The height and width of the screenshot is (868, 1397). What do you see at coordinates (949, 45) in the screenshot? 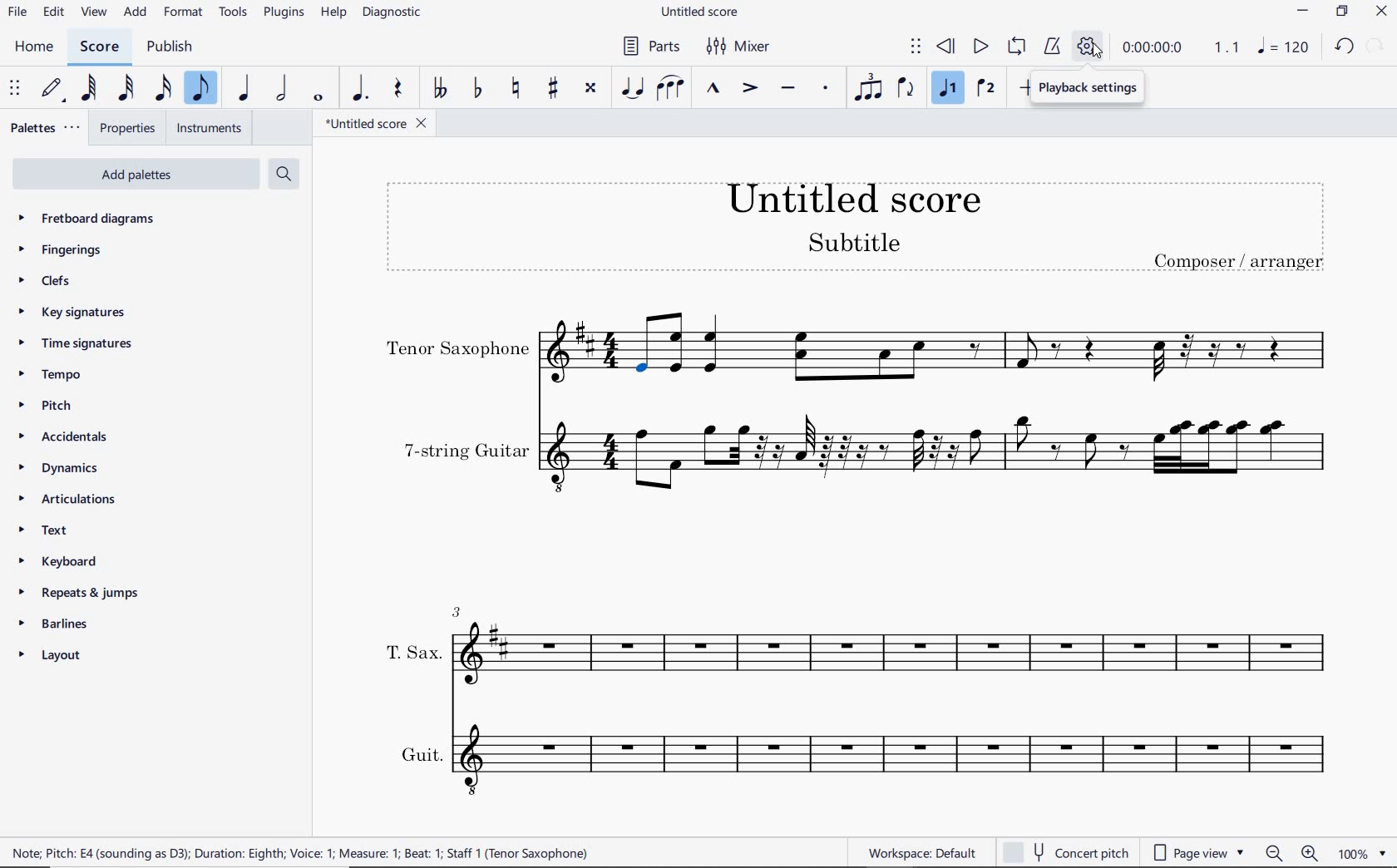
I see `REWIND` at bounding box center [949, 45].